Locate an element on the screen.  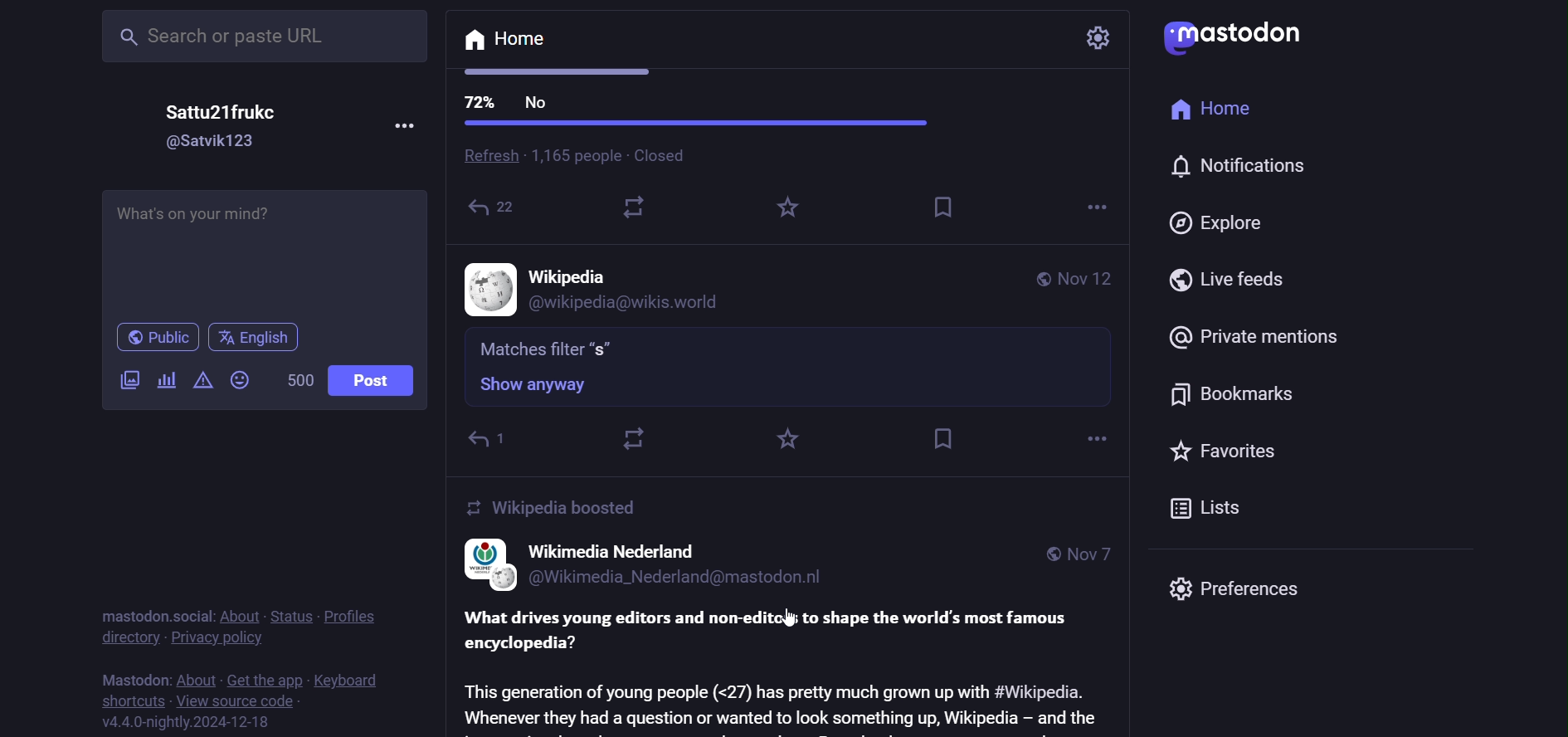
highlight is located at coordinates (786, 438).